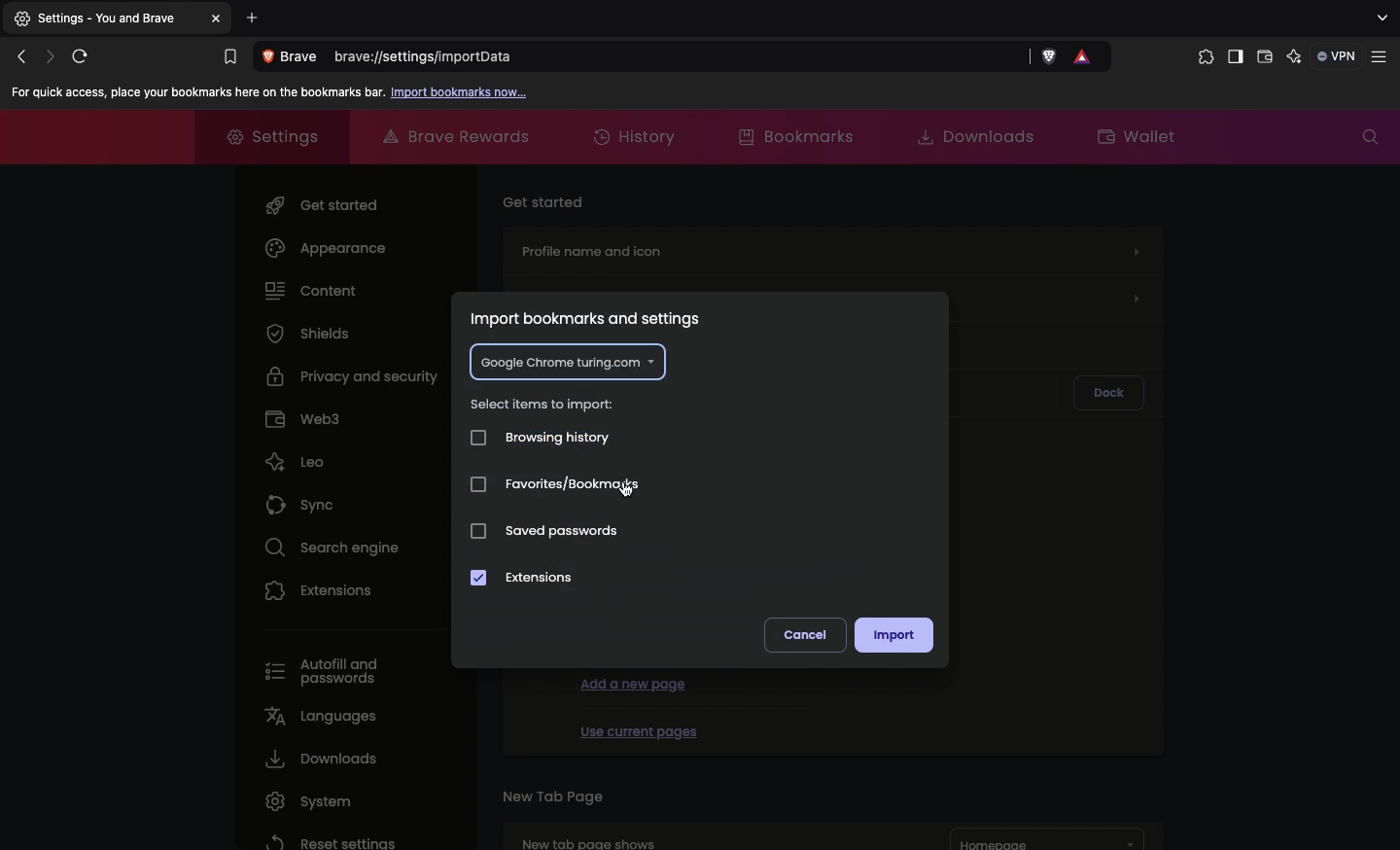 This screenshot has width=1400, height=850. I want to click on Import, so click(897, 637).